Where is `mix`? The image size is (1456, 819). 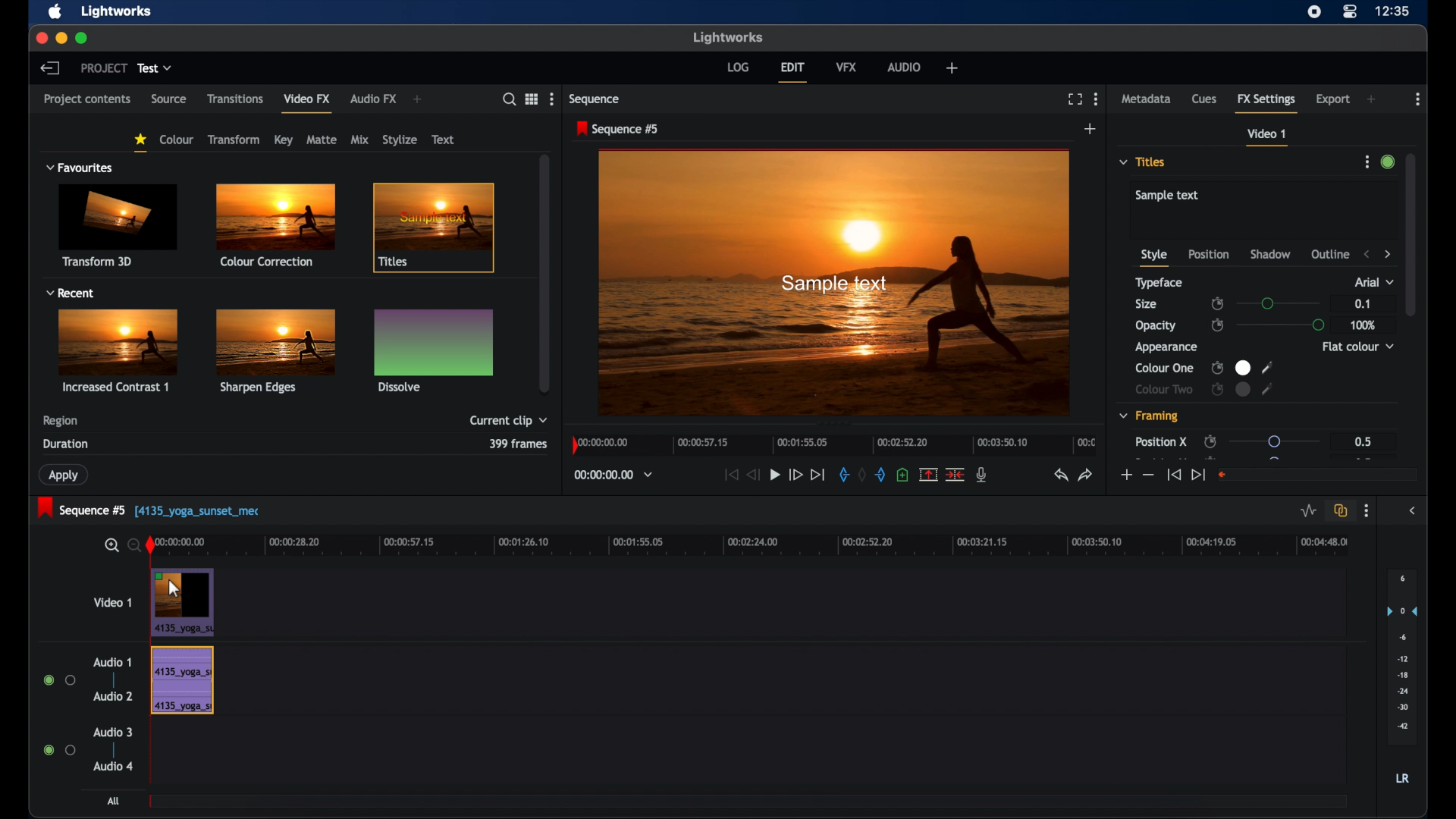 mix is located at coordinates (360, 140).